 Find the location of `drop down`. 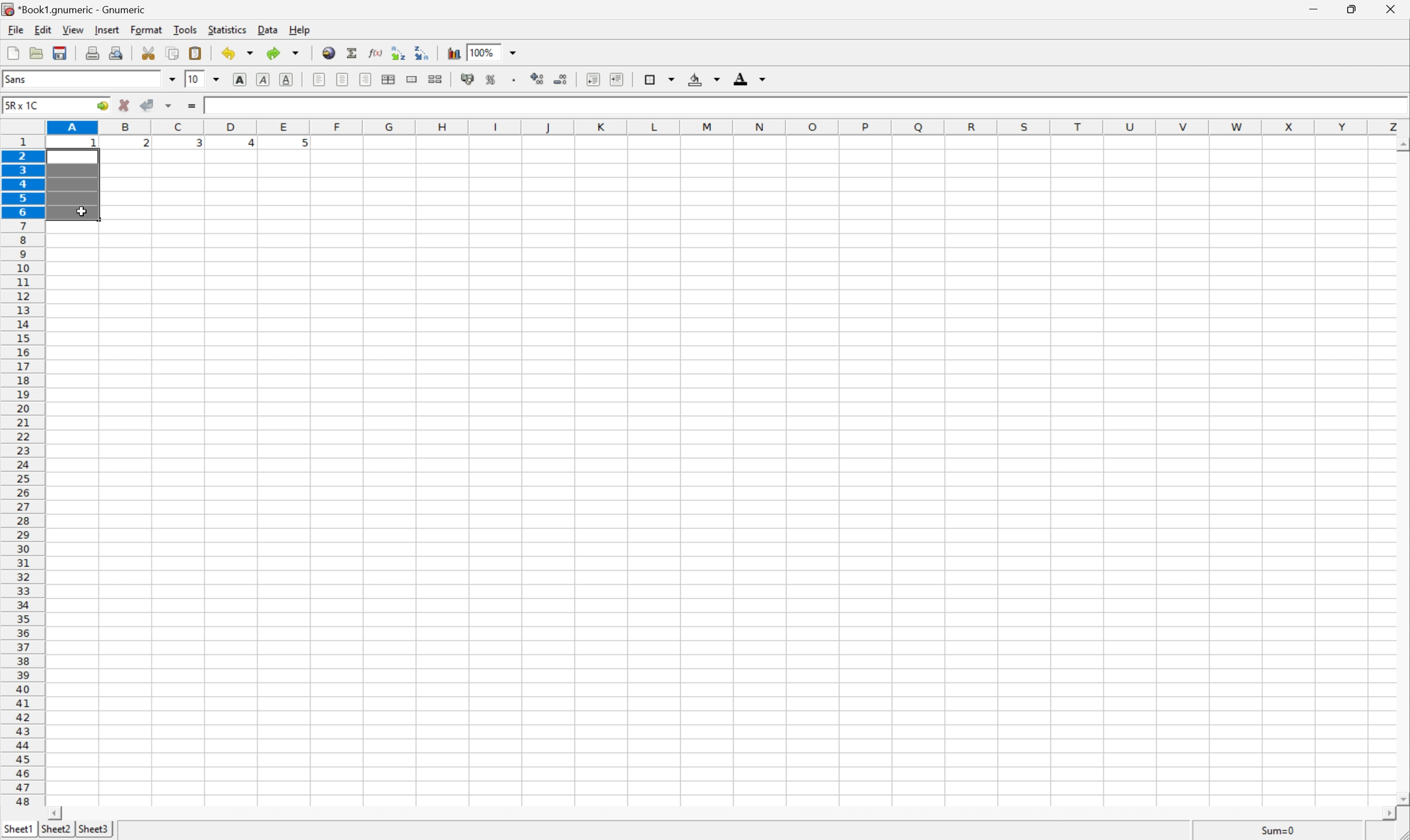

drop down is located at coordinates (514, 53).